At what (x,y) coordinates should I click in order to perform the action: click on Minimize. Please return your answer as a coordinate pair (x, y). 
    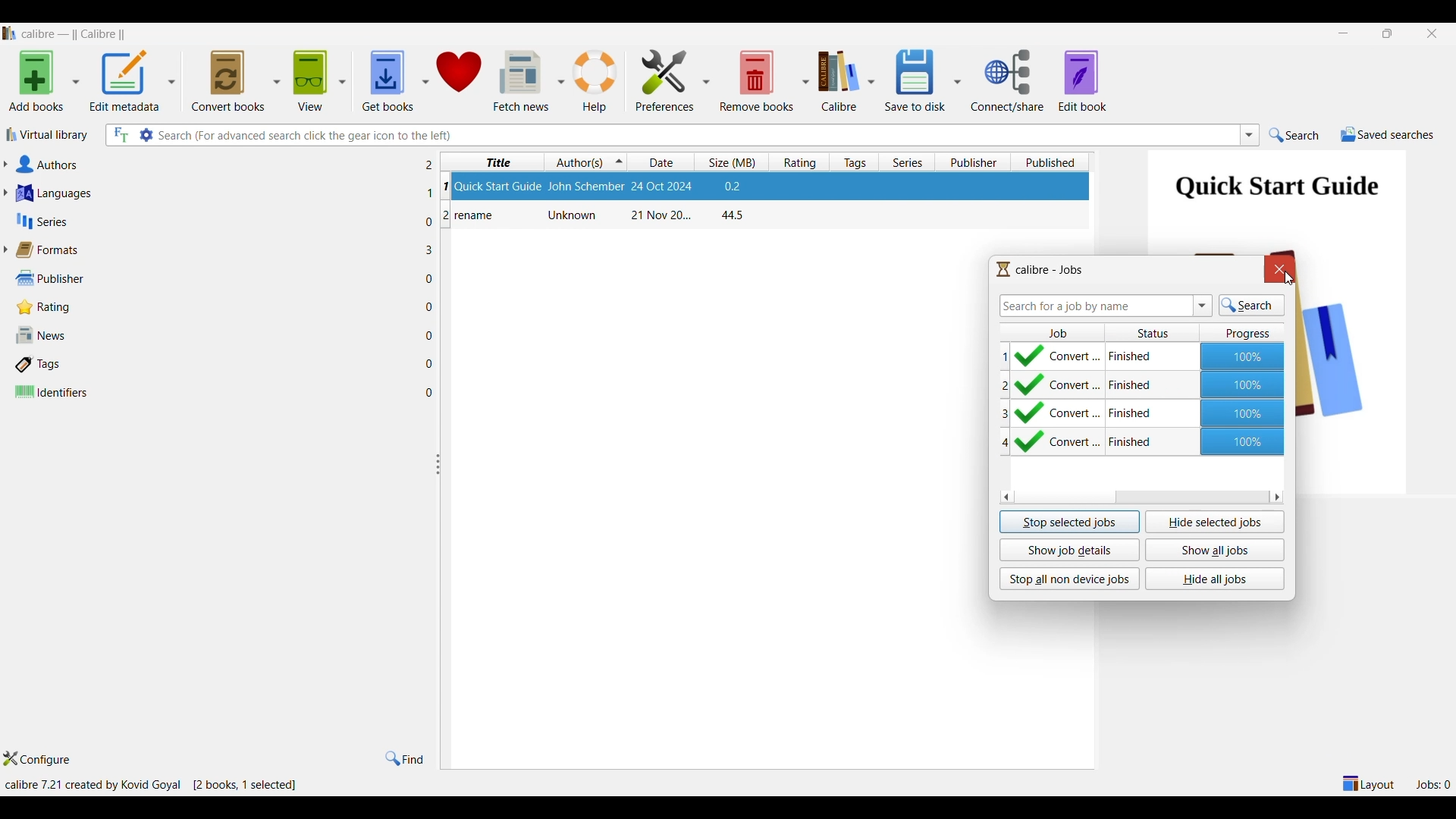
    Looking at the image, I should click on (1343, 33).